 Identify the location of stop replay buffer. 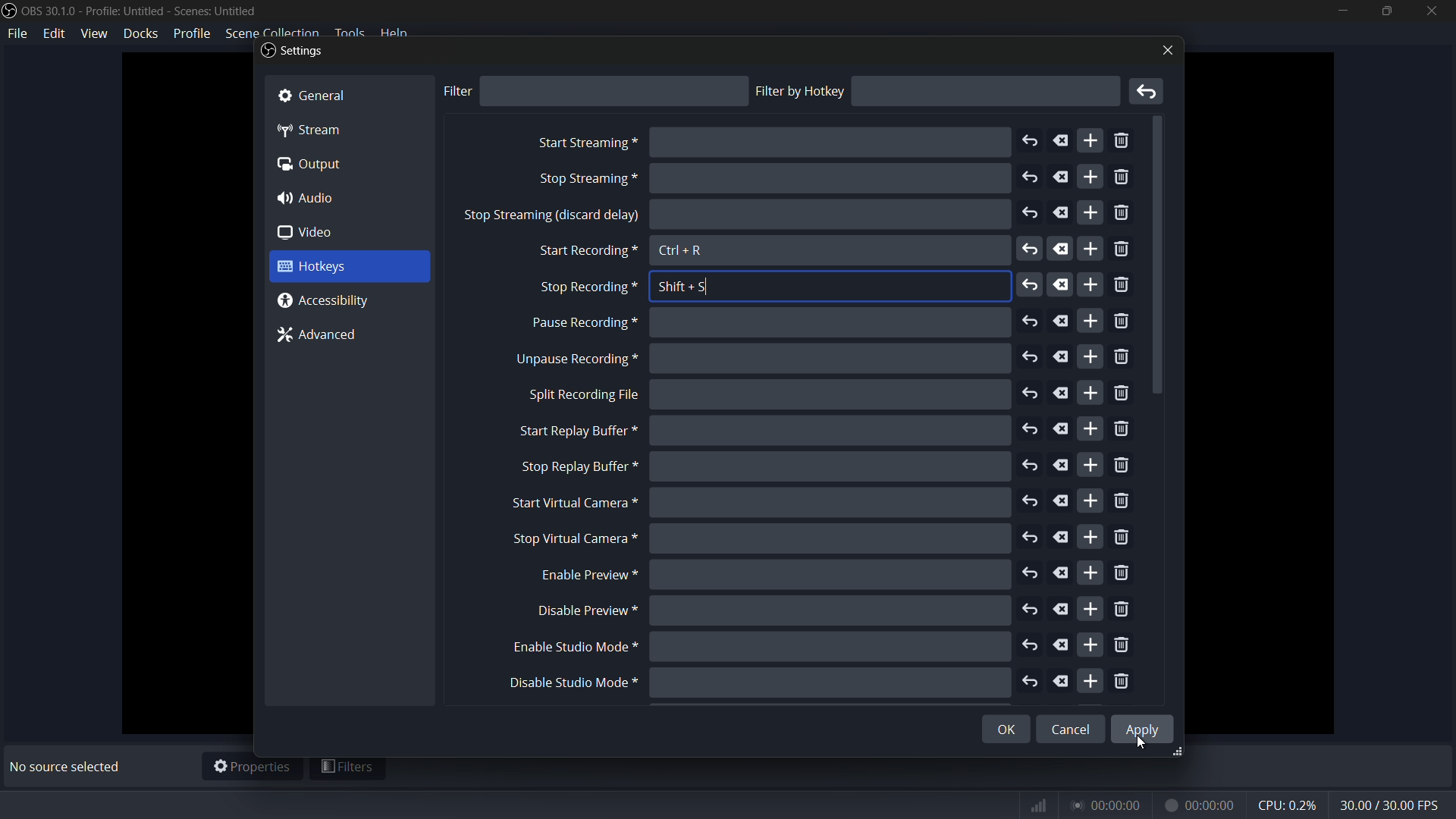
(577, 467).